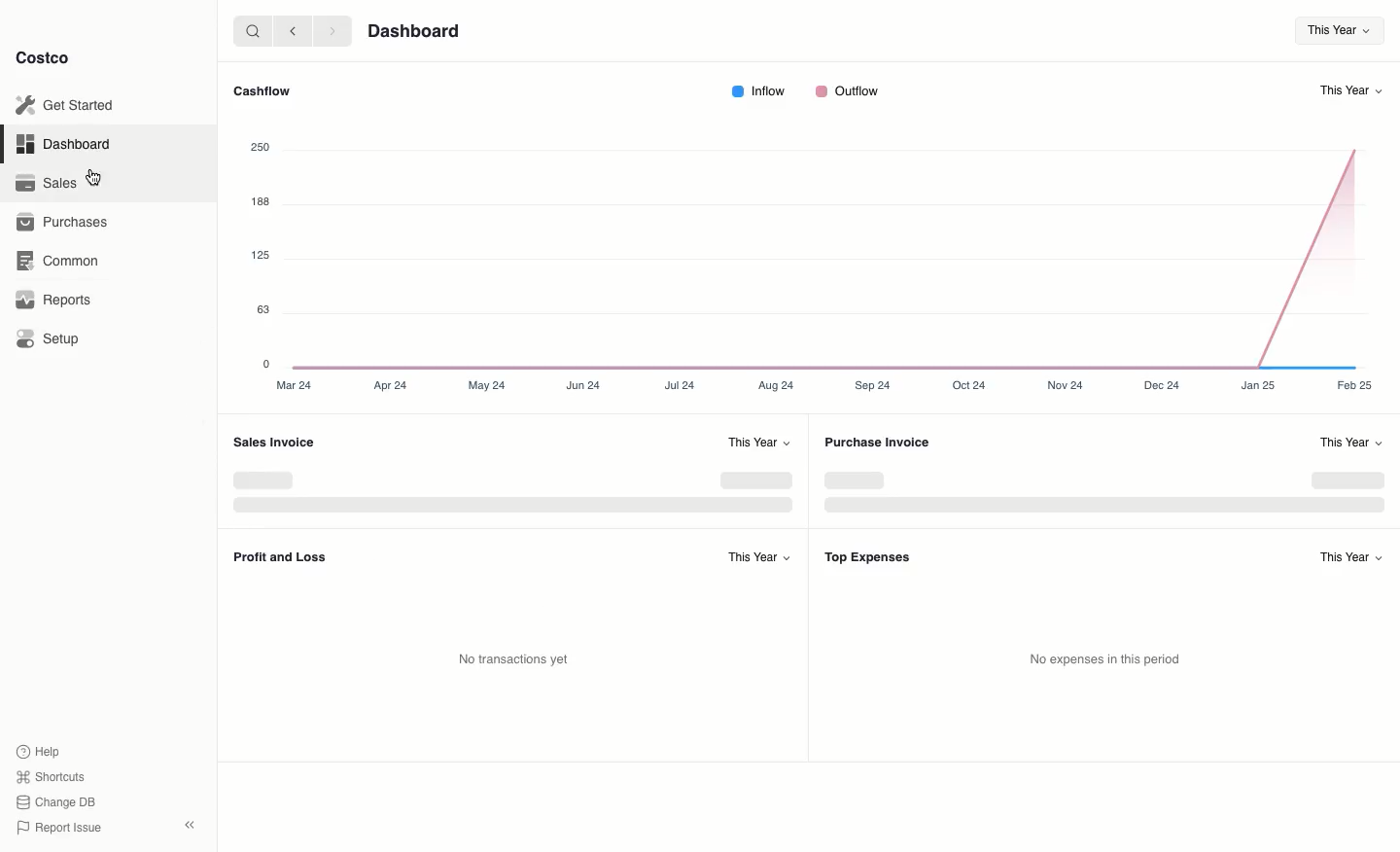 This screenshot has height=852, width=1400. I want to click on Nov 24, so click(1071, 385).